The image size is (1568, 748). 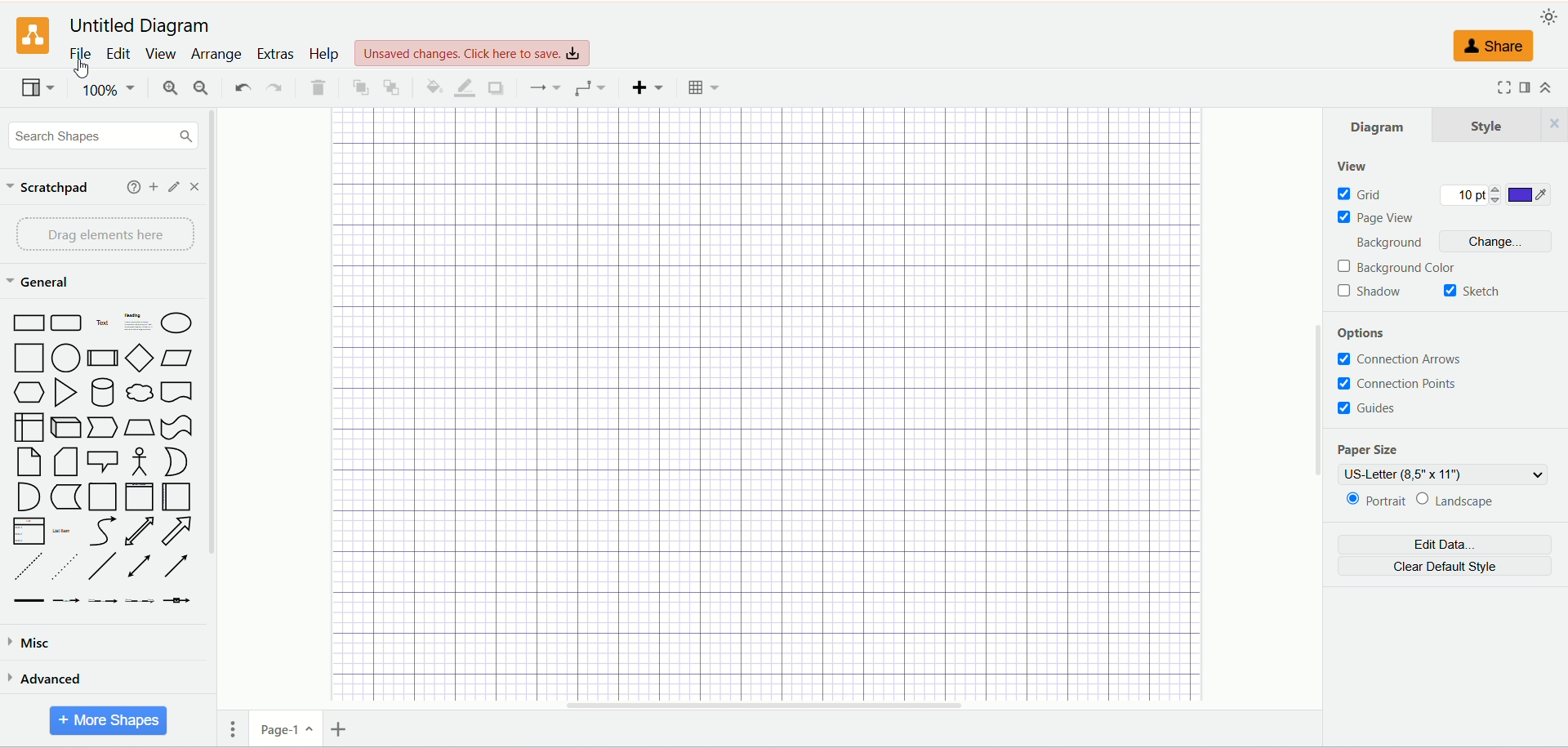 What do you see at coordinates (704, 87) in the screenshot?
I see `Table` at bounding box center [704, 87].